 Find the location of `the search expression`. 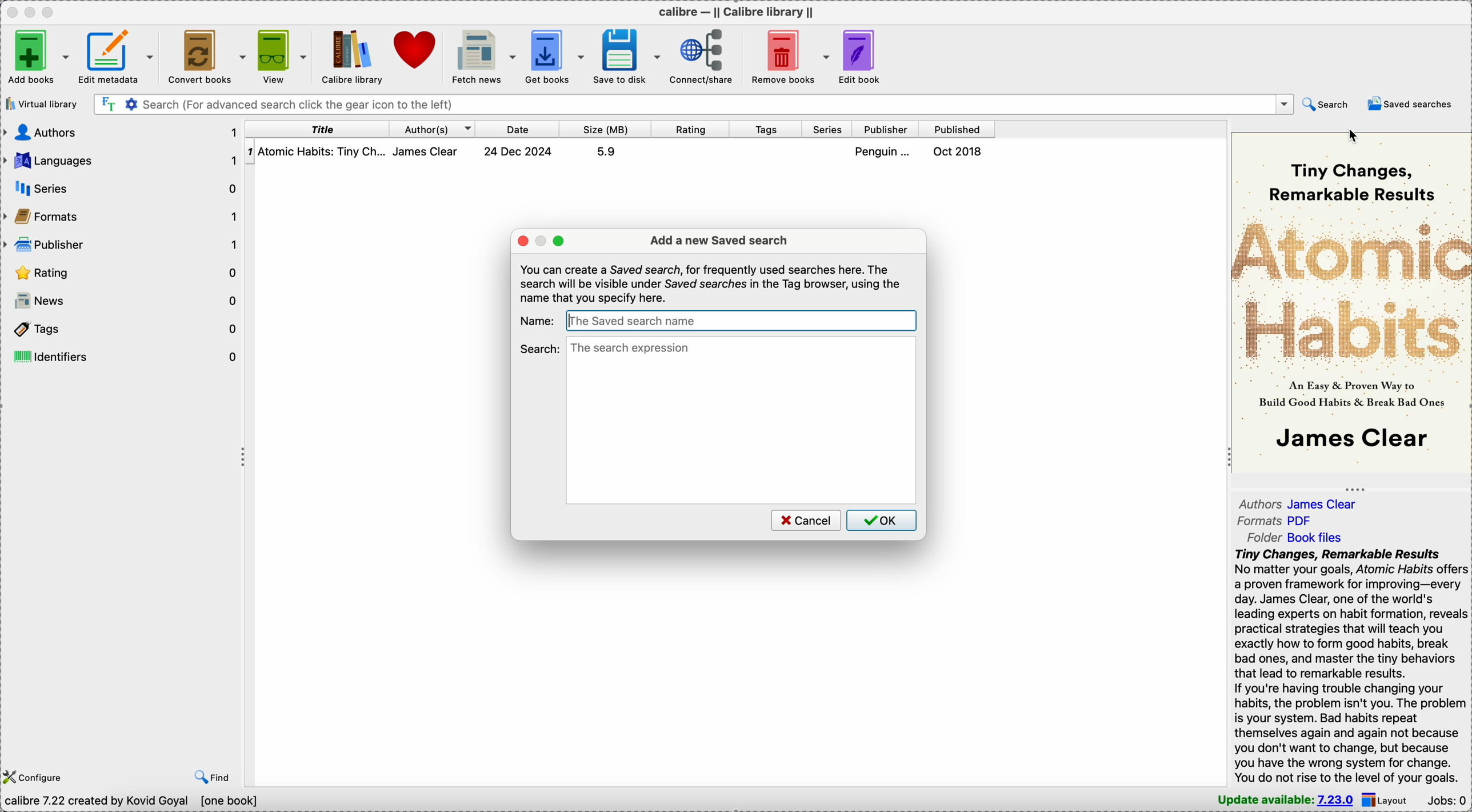

the search expression is located at coordinates (742, 420).